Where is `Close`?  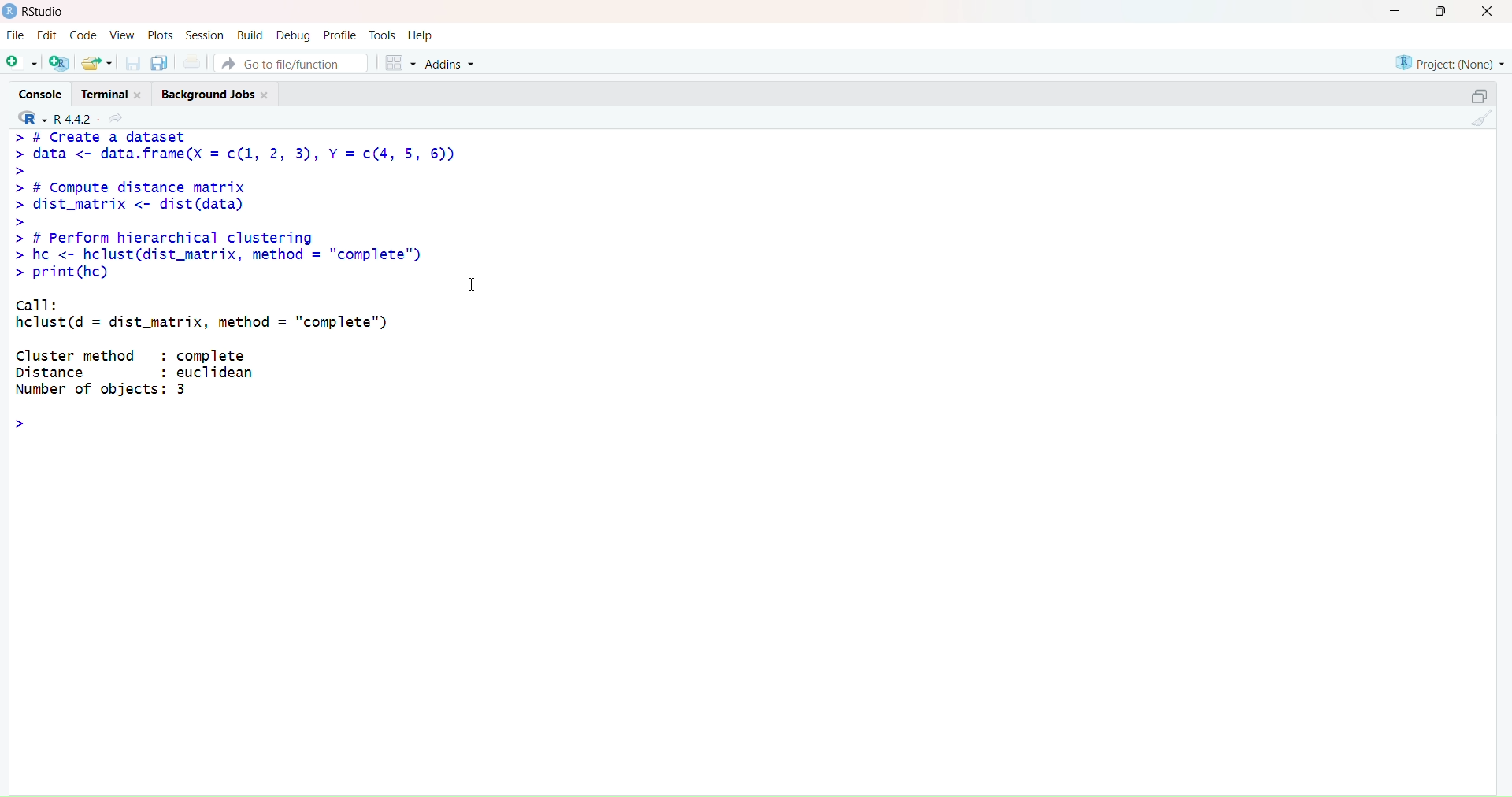
Close is located at coordinates (1487, 16).